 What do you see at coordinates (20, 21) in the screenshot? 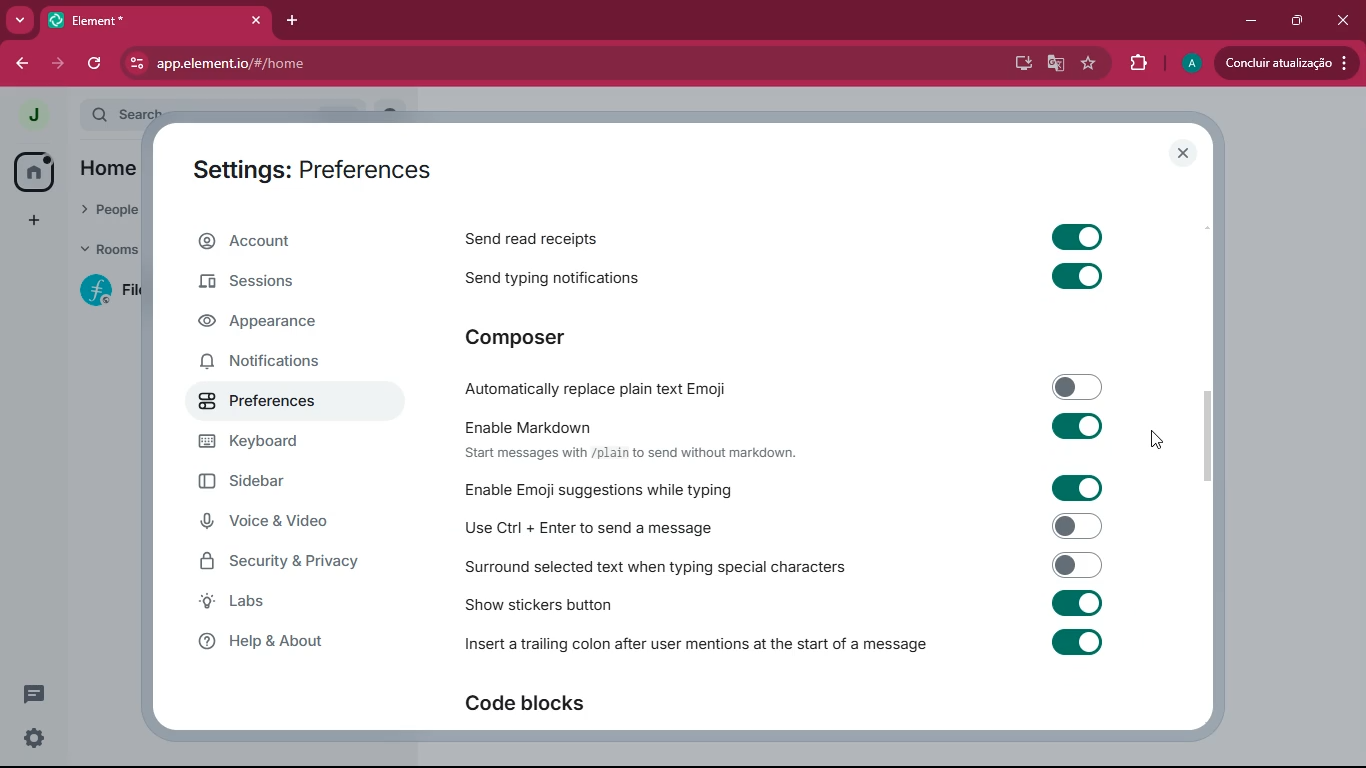
I see `more` at bounding box center [20, 21].